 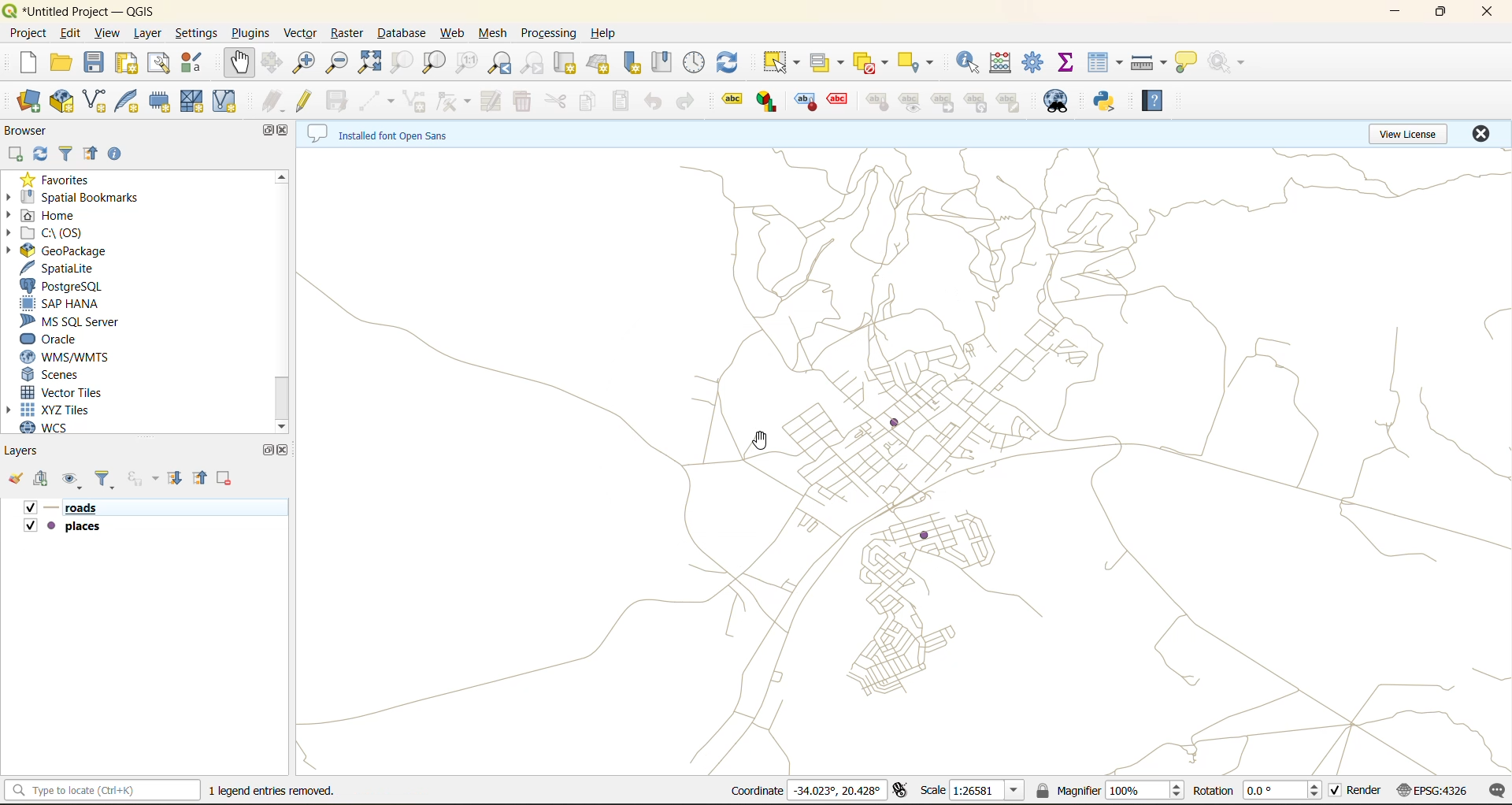 What do you see at coordinates (65, 216) in the screenshot?
I see `home` at bounding box center [65, 216].